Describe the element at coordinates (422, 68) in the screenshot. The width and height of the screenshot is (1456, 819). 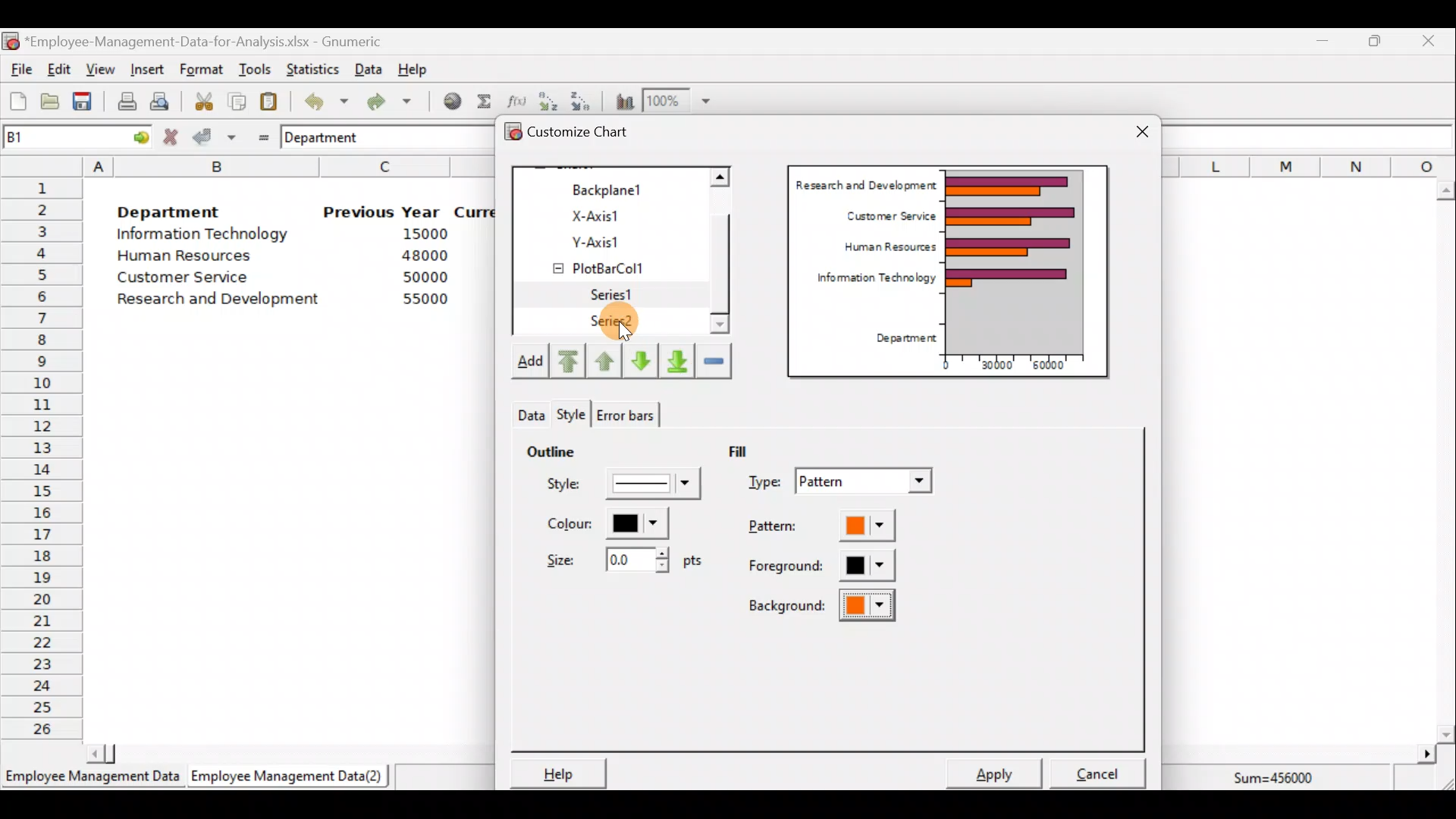
I see `Help` at that location.